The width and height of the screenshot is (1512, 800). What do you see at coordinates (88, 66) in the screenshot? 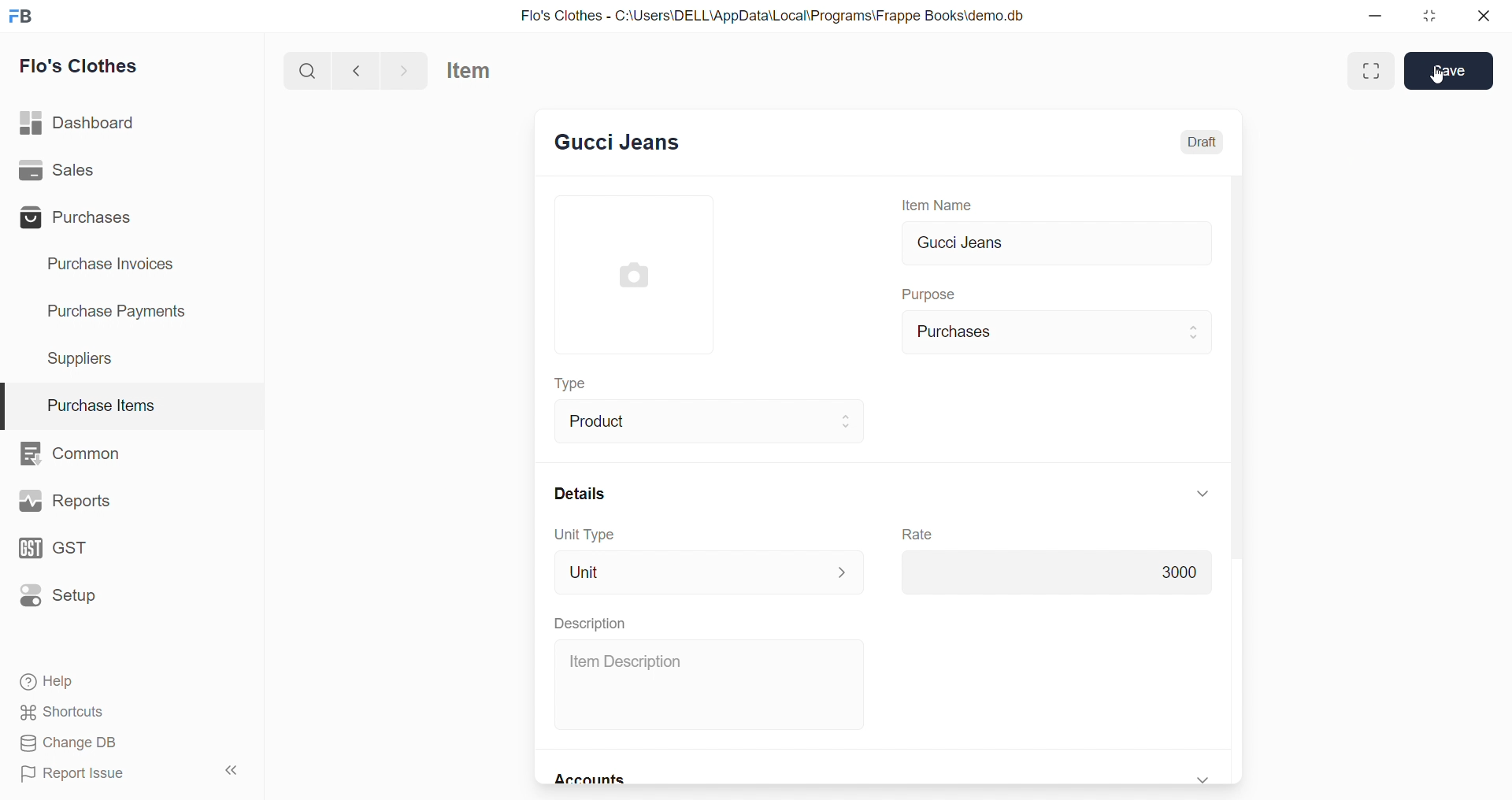
I see `Flo's Clothes` at bounding box center [88, 66].